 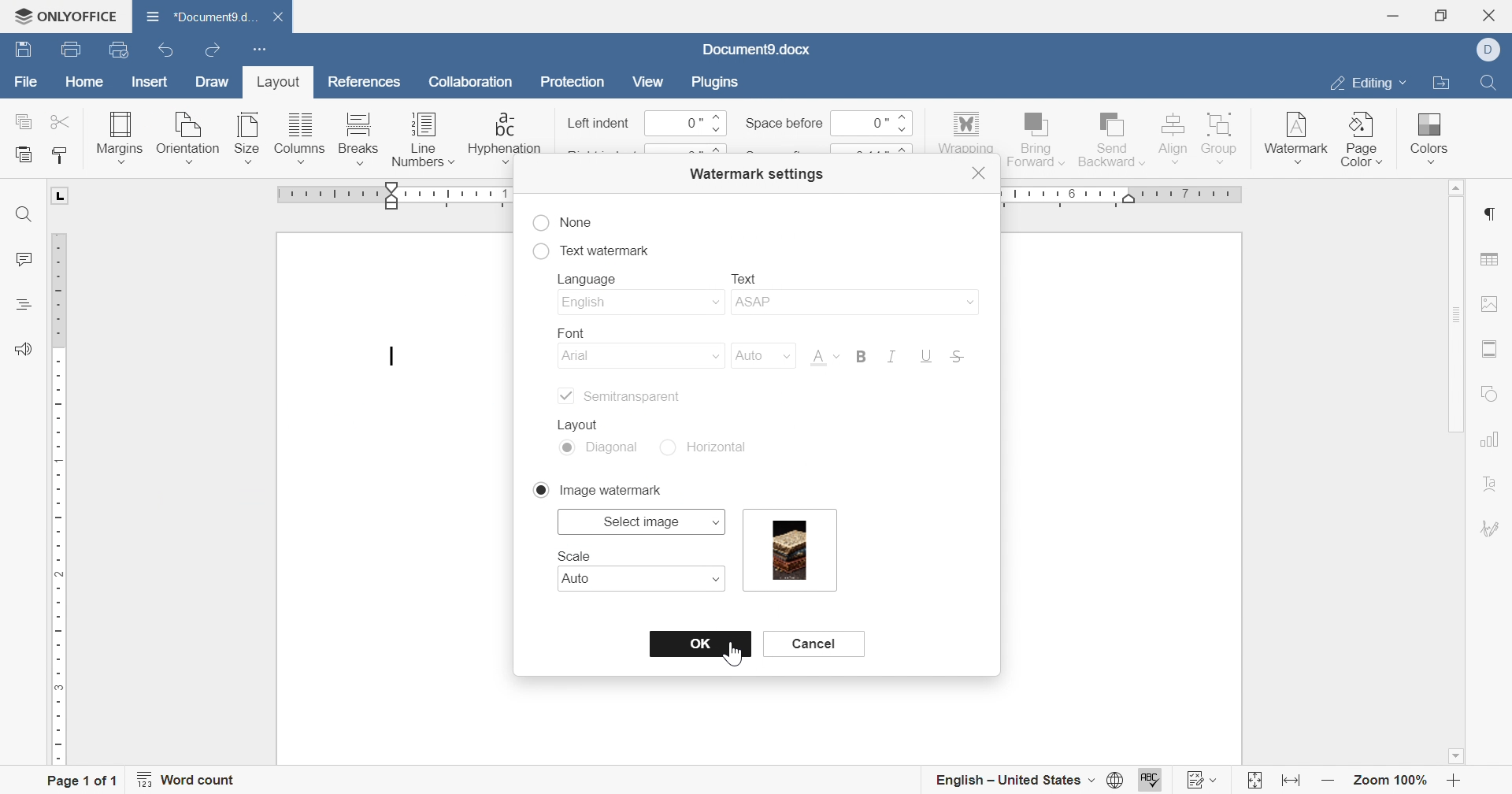 What do you see at coordinates (573, 85) in the screenshot?
I see `protection` at bounding box center [573, 85].